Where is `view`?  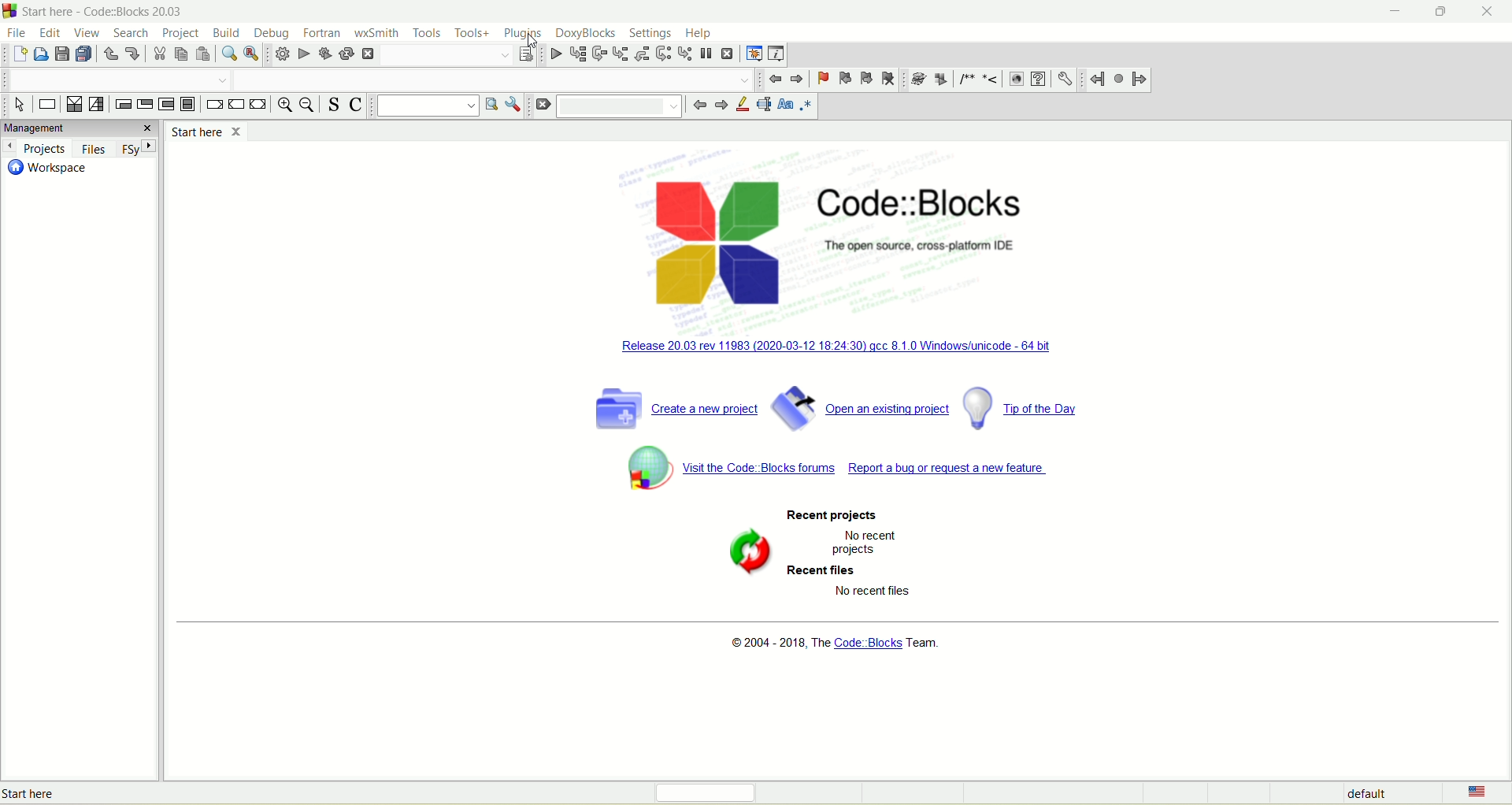
view is located at coordinates (88, 32).